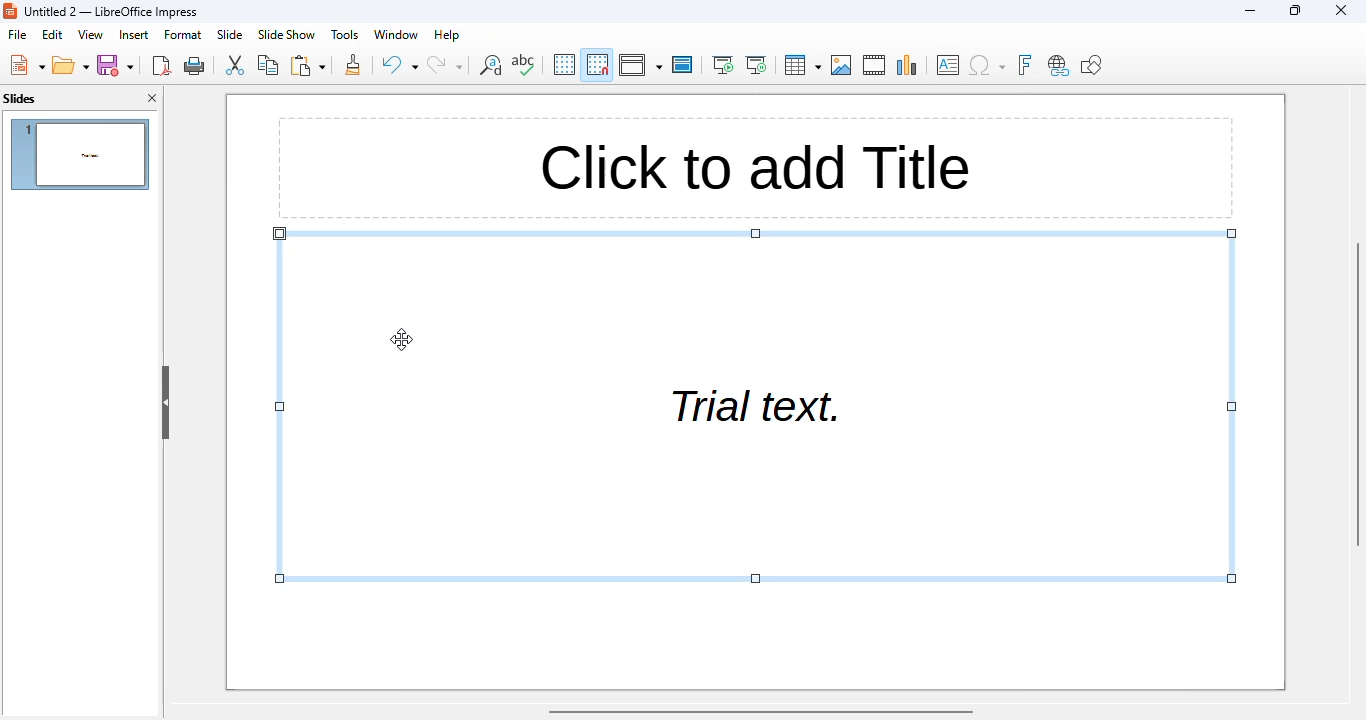  I want to click on trial text, so click(756, 405).